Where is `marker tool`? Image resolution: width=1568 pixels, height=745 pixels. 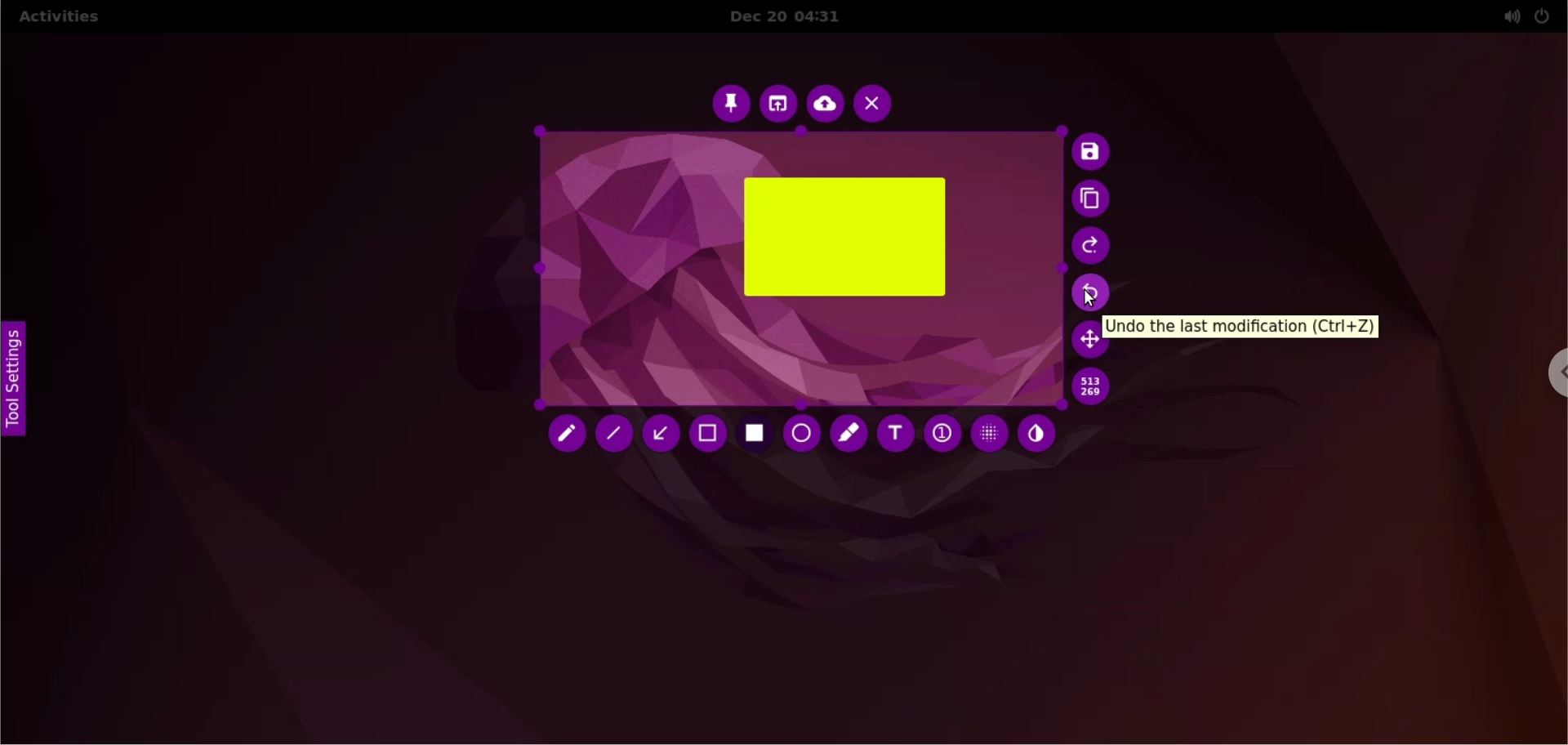
marker tool is located at coordinates (849, 436).